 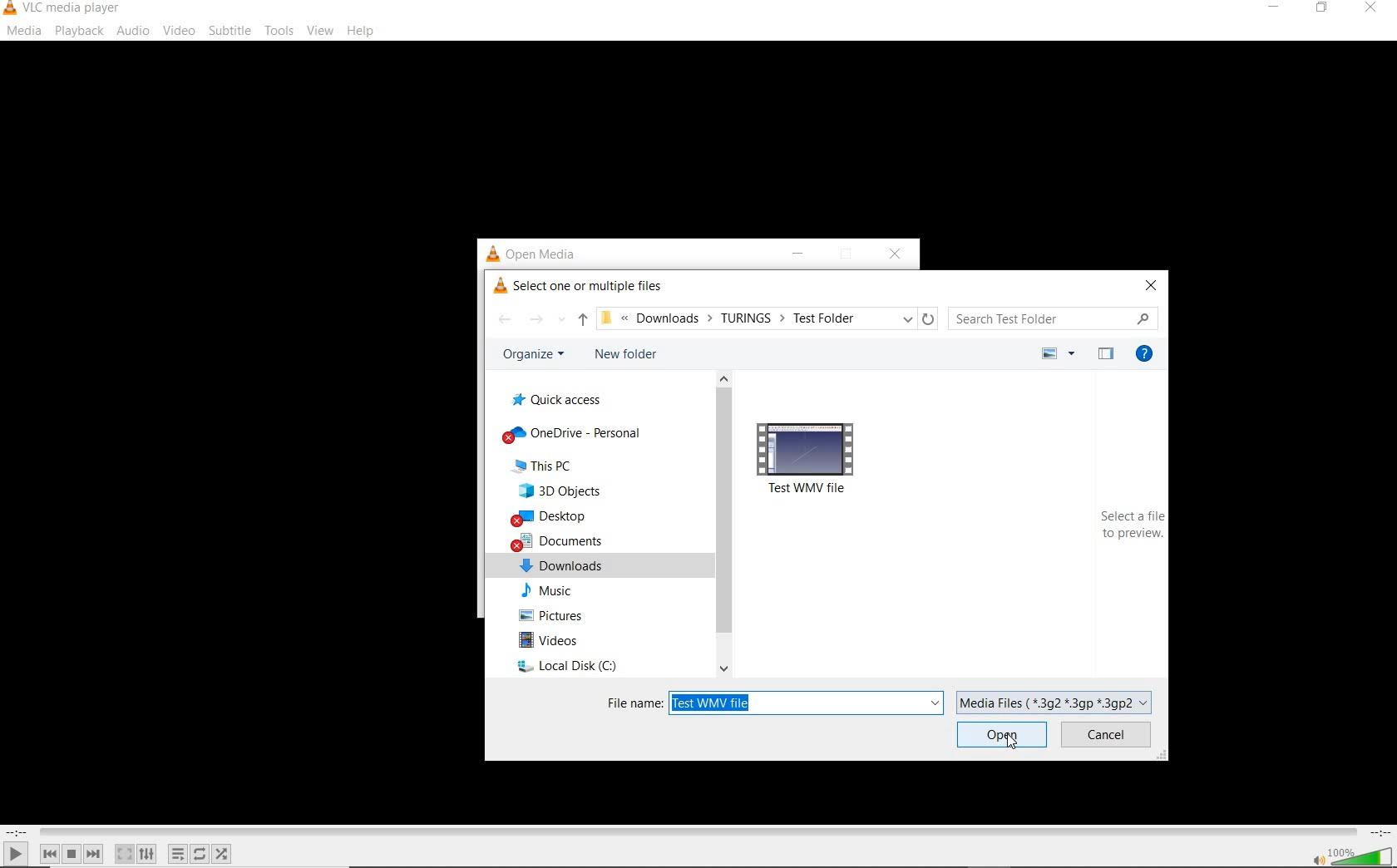 What do you see at coordinates (907, 317) in the screenshot?
I see `previous locations` at bounding box center [907, 317].